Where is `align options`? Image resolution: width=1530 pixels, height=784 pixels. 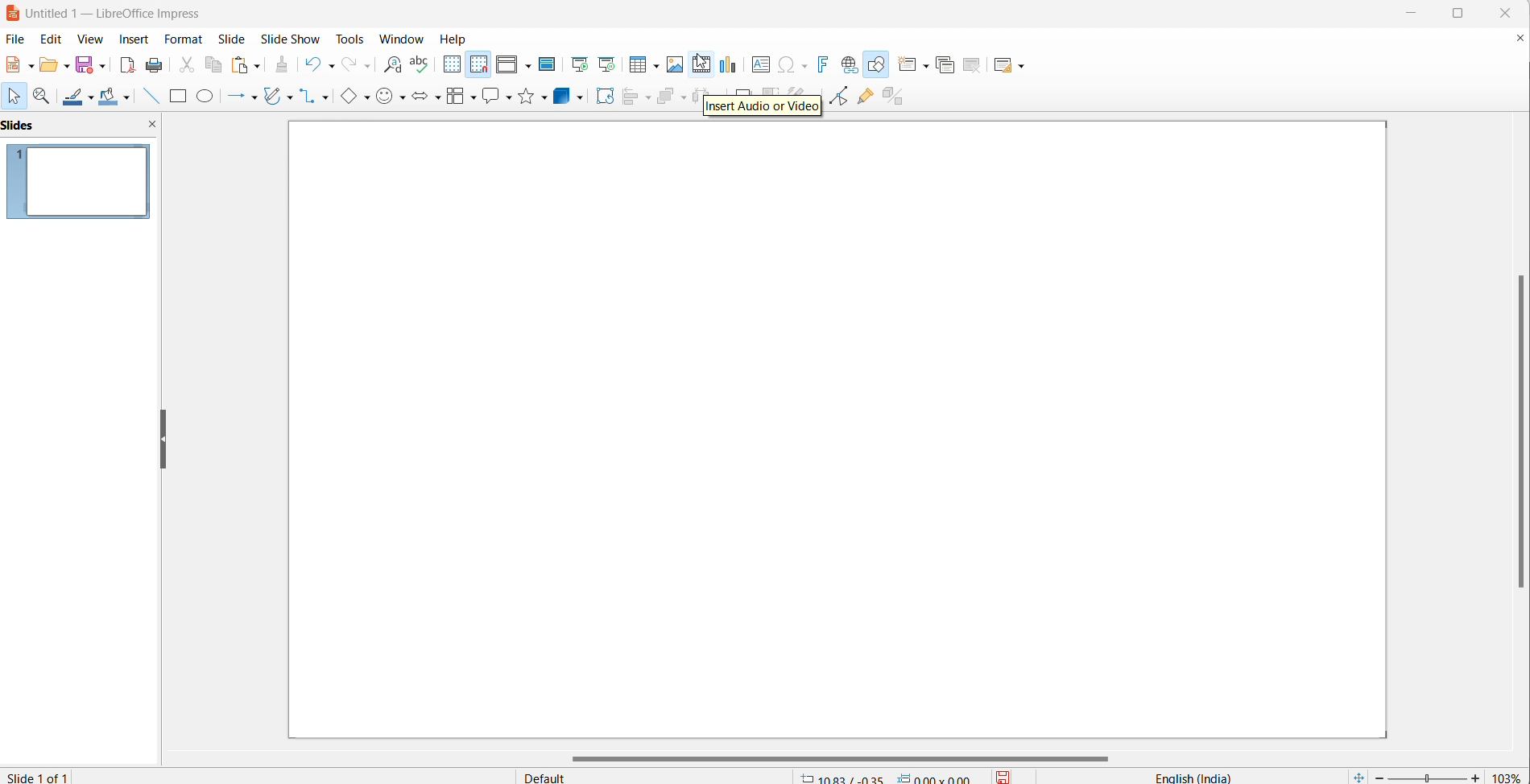
align options is located at coordinates (649, 99).